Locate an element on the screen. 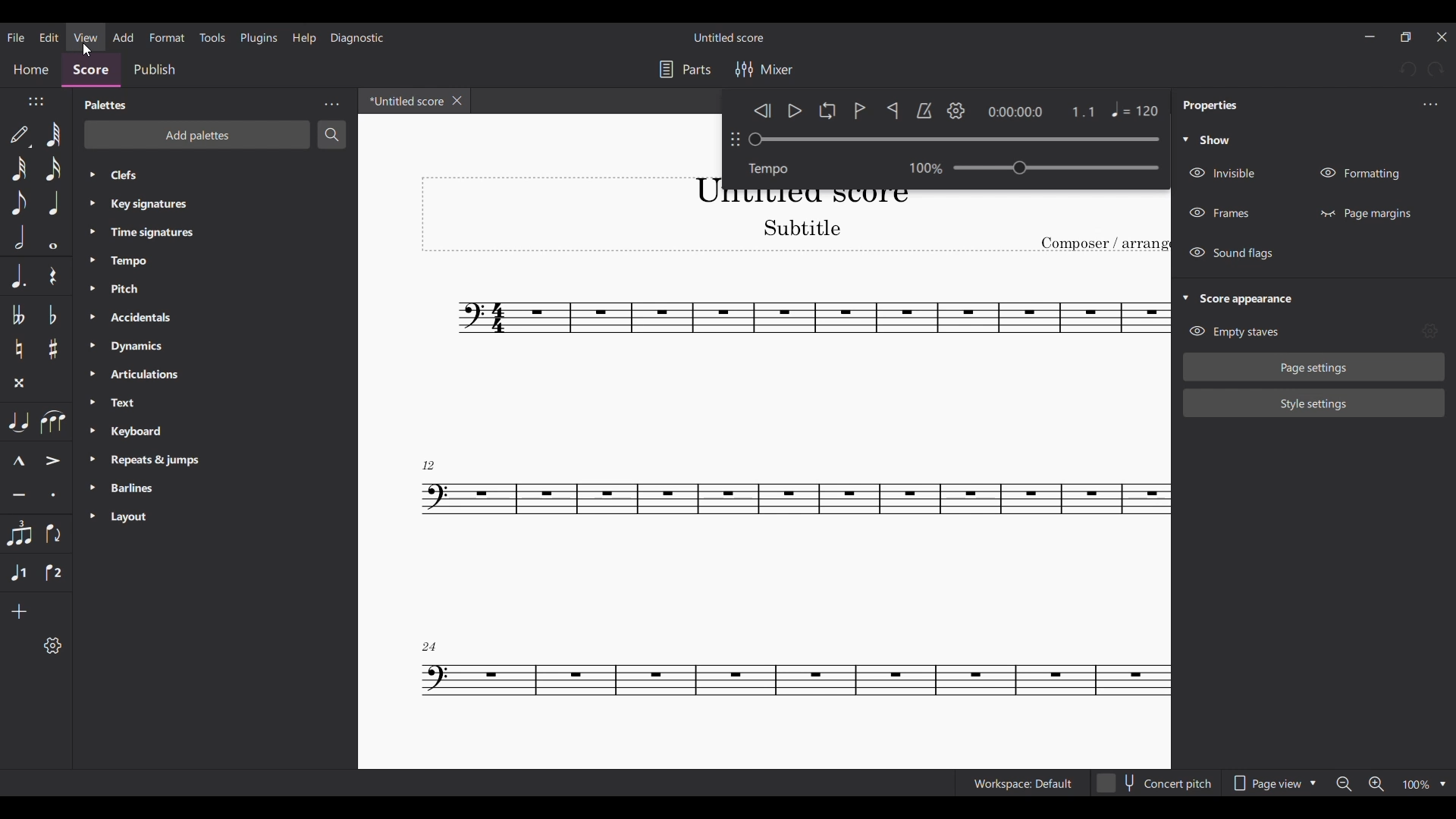 The image size is (1456, 819). Sound flags is located at coordinates (1234, 253).